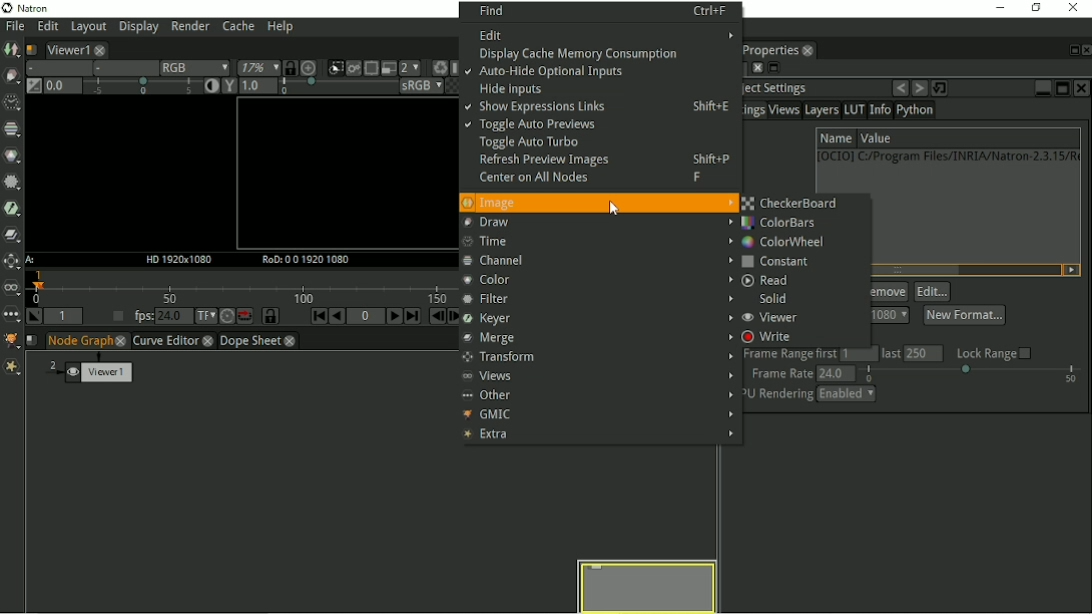  What do you see at coordinates (604, 179) in the screenshot?
I see `Center on all nodes` at bounding box center [604, 179].